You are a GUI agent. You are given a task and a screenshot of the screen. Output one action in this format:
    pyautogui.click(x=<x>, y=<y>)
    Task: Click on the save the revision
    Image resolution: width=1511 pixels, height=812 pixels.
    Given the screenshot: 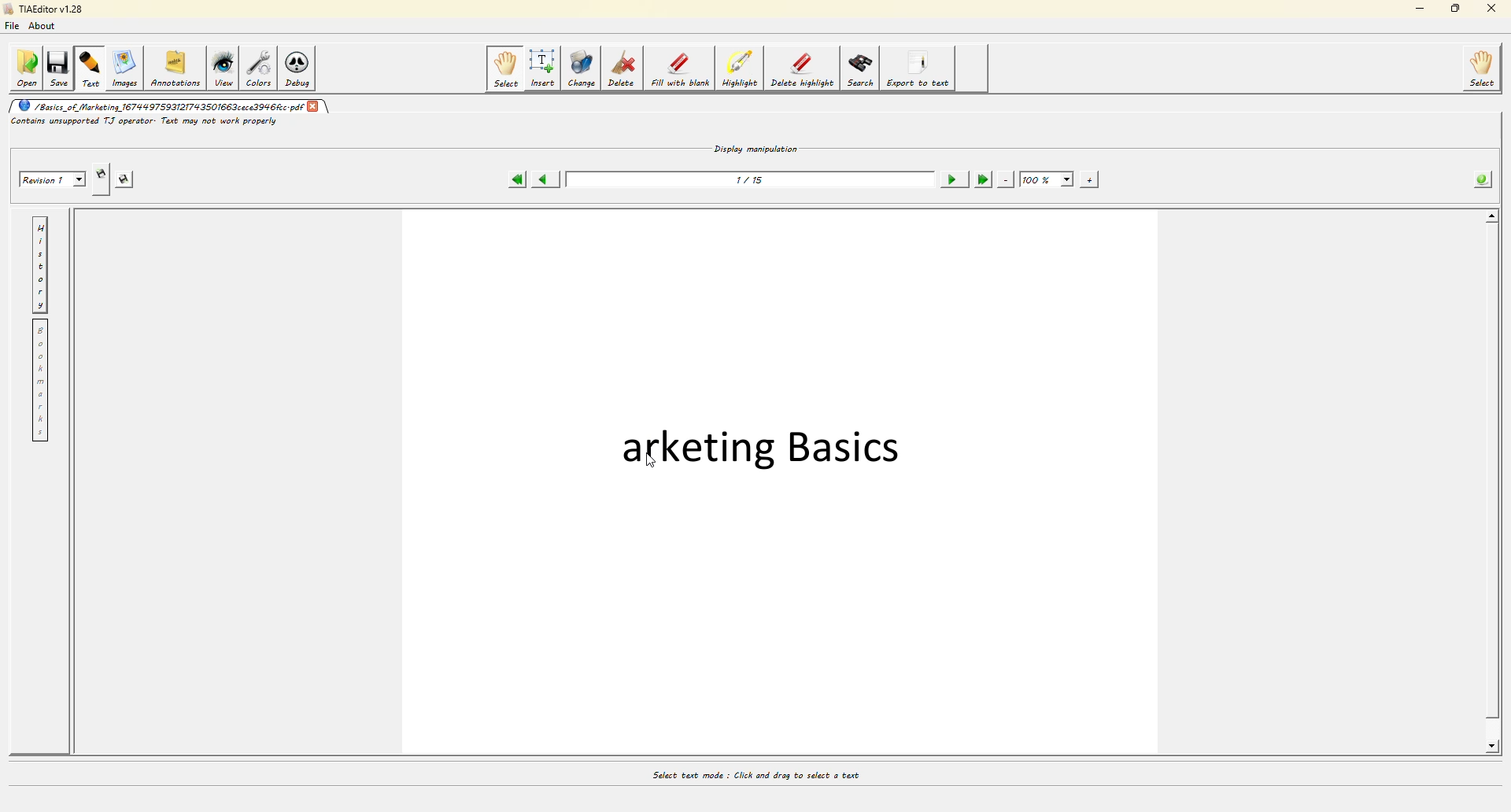 What is the action you would take?
    pyautogui.click(x=131, y=177)
    